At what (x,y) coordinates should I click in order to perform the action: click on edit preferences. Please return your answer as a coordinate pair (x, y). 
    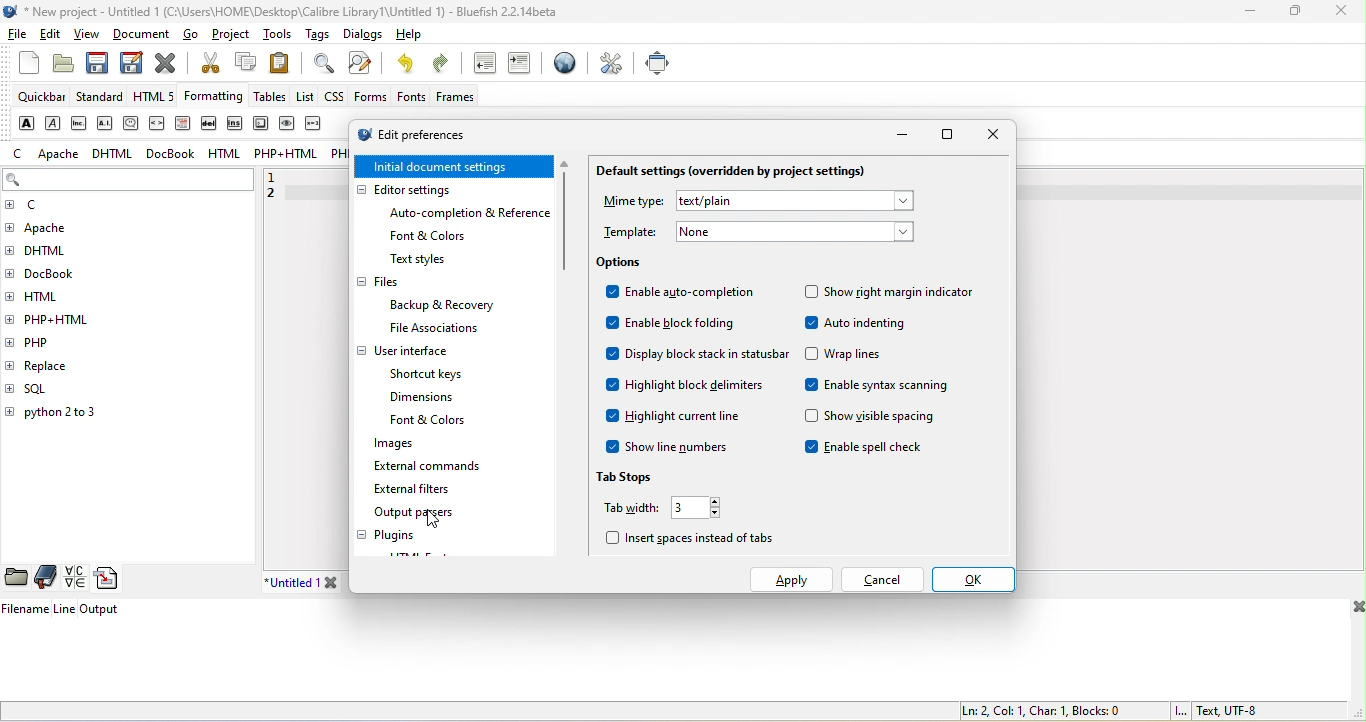
    Looking at the image, I should click on (431, 135).